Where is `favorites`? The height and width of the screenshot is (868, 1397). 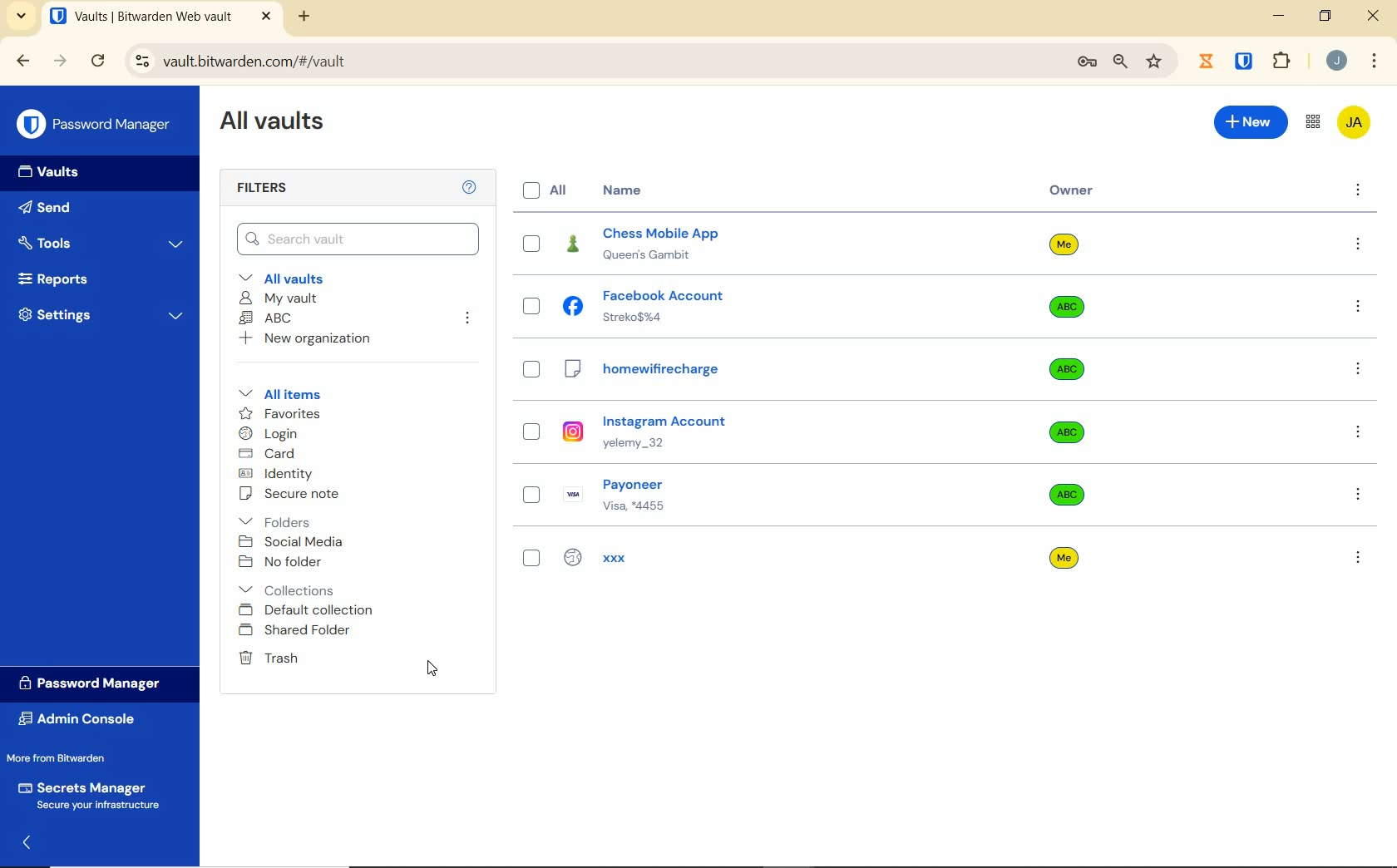 favorites is located at coordinates (286, 414).